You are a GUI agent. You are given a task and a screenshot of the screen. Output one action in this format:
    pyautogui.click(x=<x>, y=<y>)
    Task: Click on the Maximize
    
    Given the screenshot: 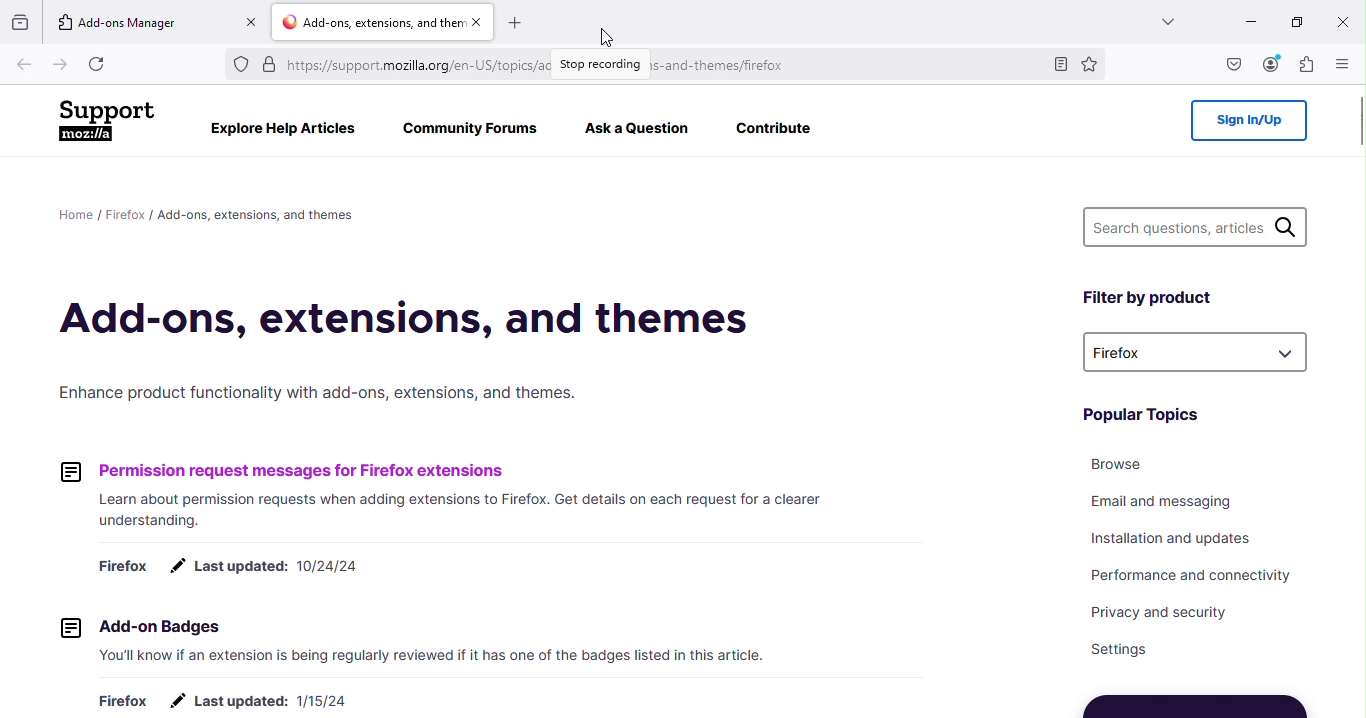 What is the action you would take?
    pyautogui.click(x=1298, y=22)
    